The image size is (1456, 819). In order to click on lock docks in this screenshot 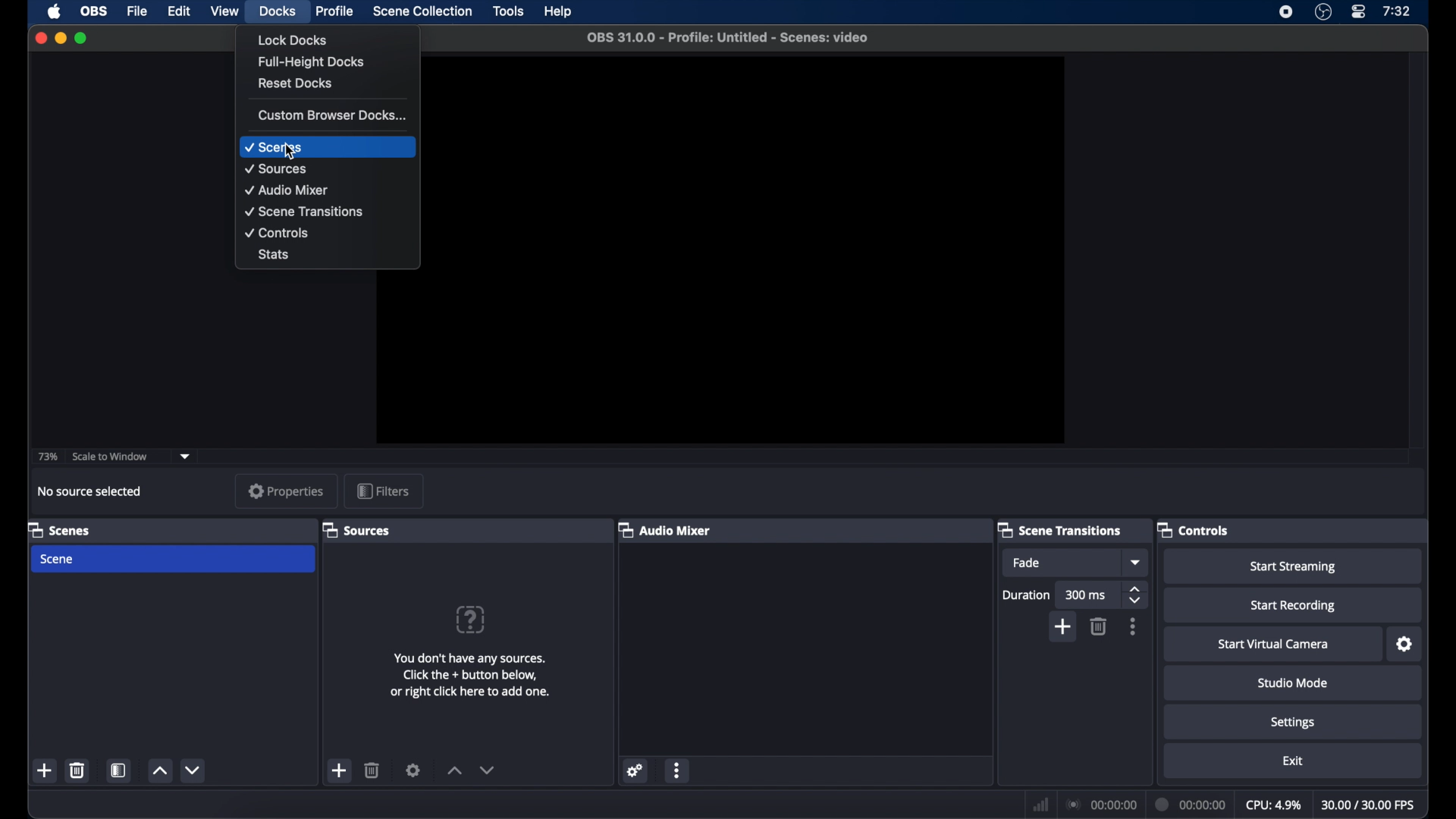, I will do `click(292, 39)`.